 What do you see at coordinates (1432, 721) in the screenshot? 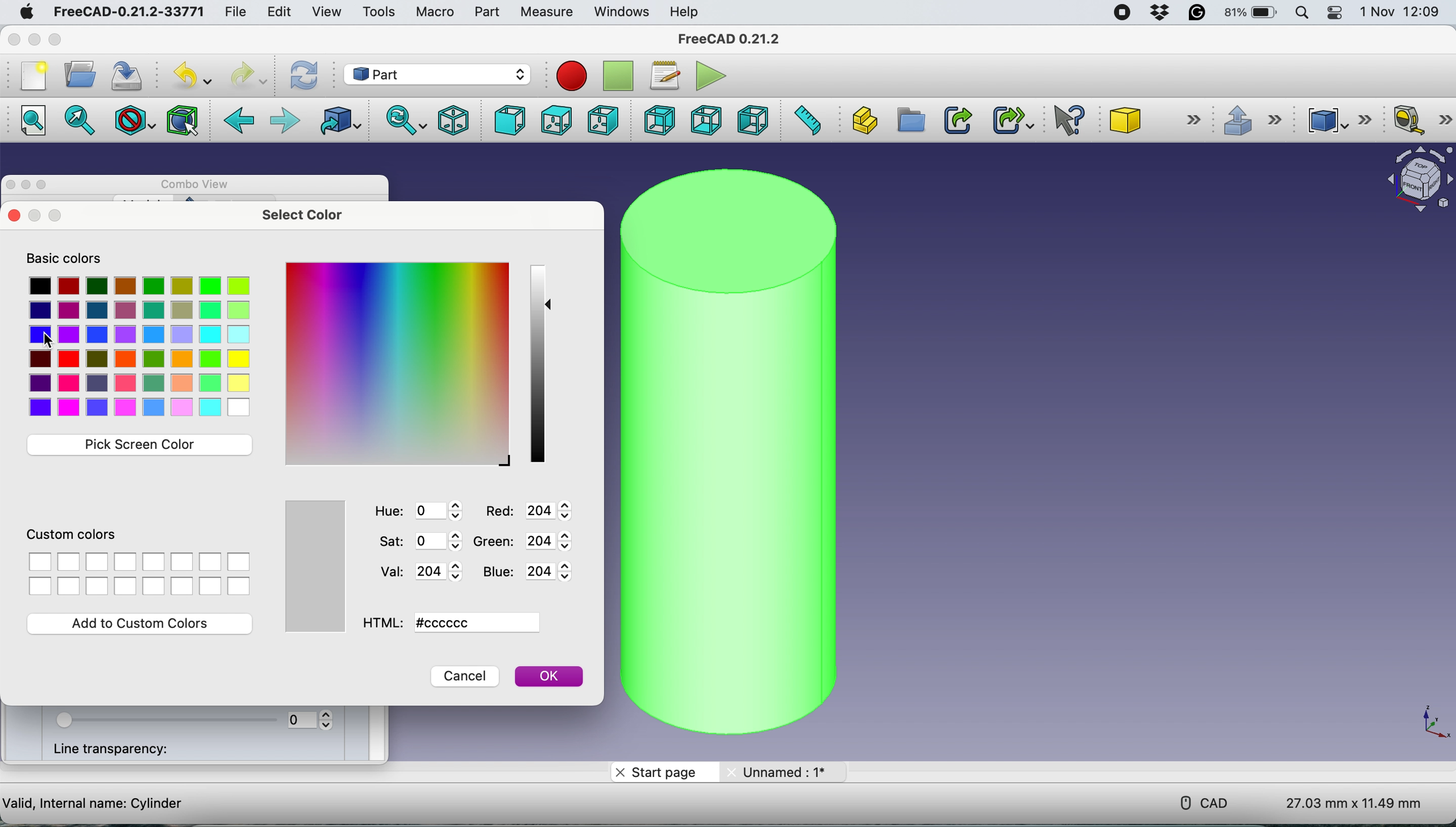
I see `xy coordinate` at bounding box center [1432, 721].